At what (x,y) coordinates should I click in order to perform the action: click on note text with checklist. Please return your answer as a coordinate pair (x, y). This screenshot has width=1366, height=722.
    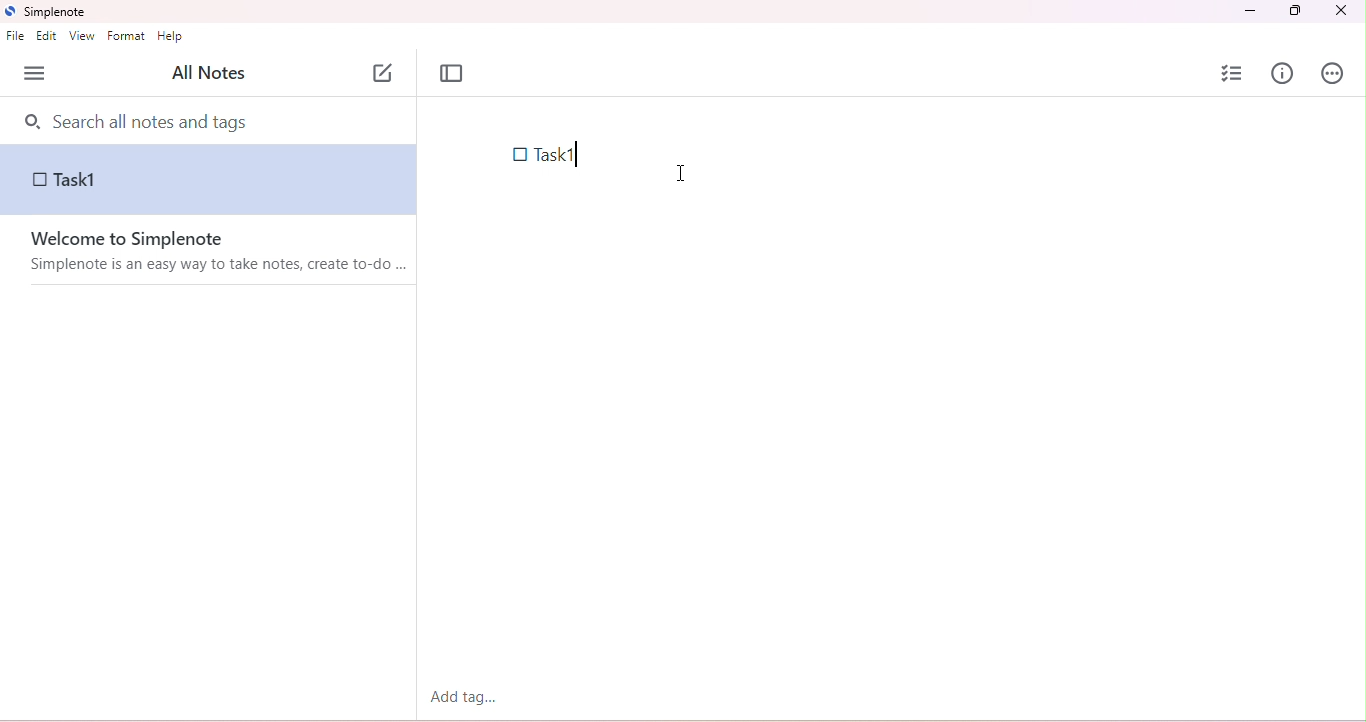
    Looking at the image, I should click on (552, 155).